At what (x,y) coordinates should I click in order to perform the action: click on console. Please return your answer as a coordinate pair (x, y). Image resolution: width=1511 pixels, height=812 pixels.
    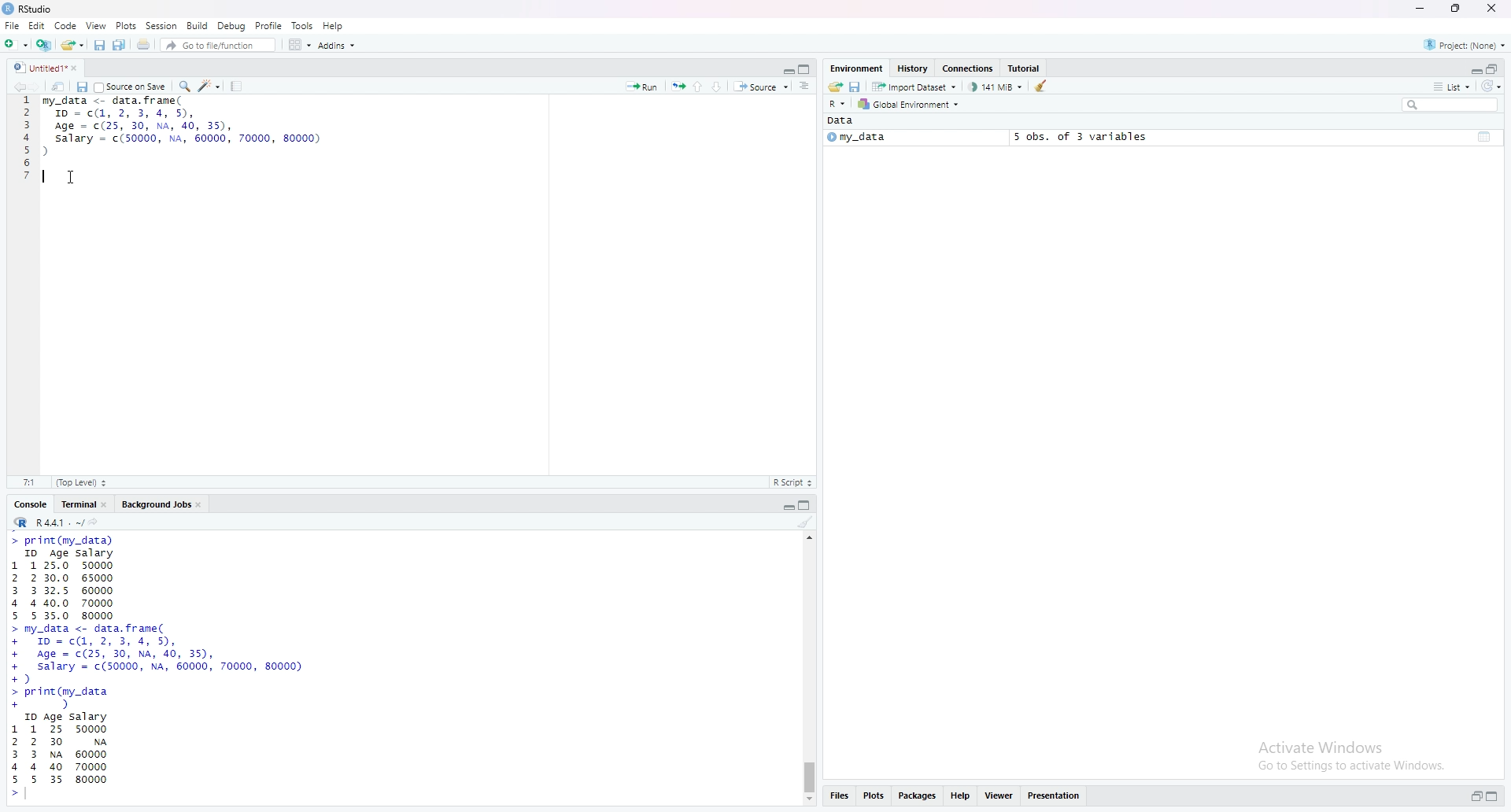
    Looking at the image, I should click on (32, 505).